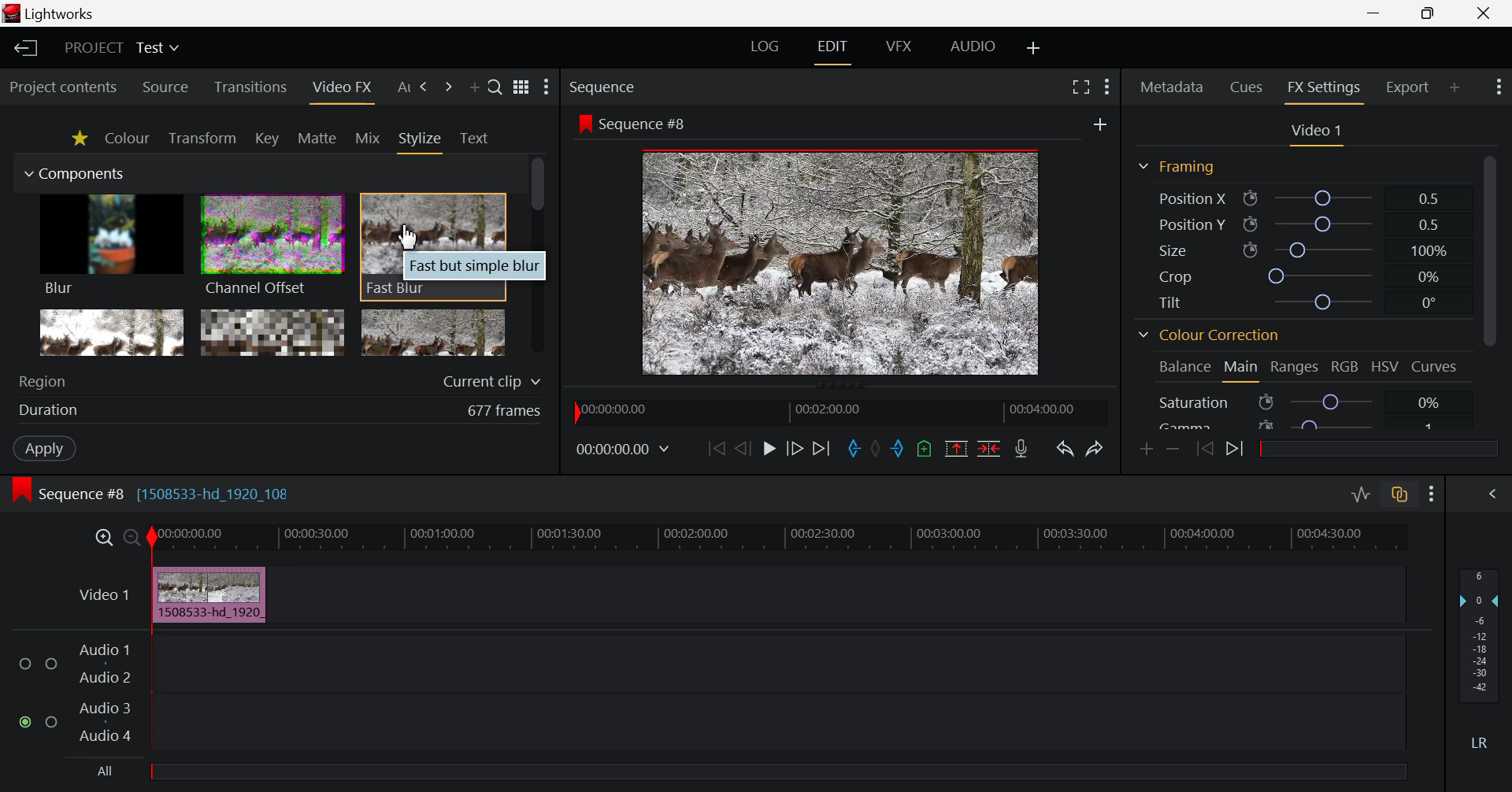 This screenshot has width=1512, height=792. What do you see at coordinates (1238, 450) in the screenshot?
I see `Next keyframe` at bounding box center [1238, 450].